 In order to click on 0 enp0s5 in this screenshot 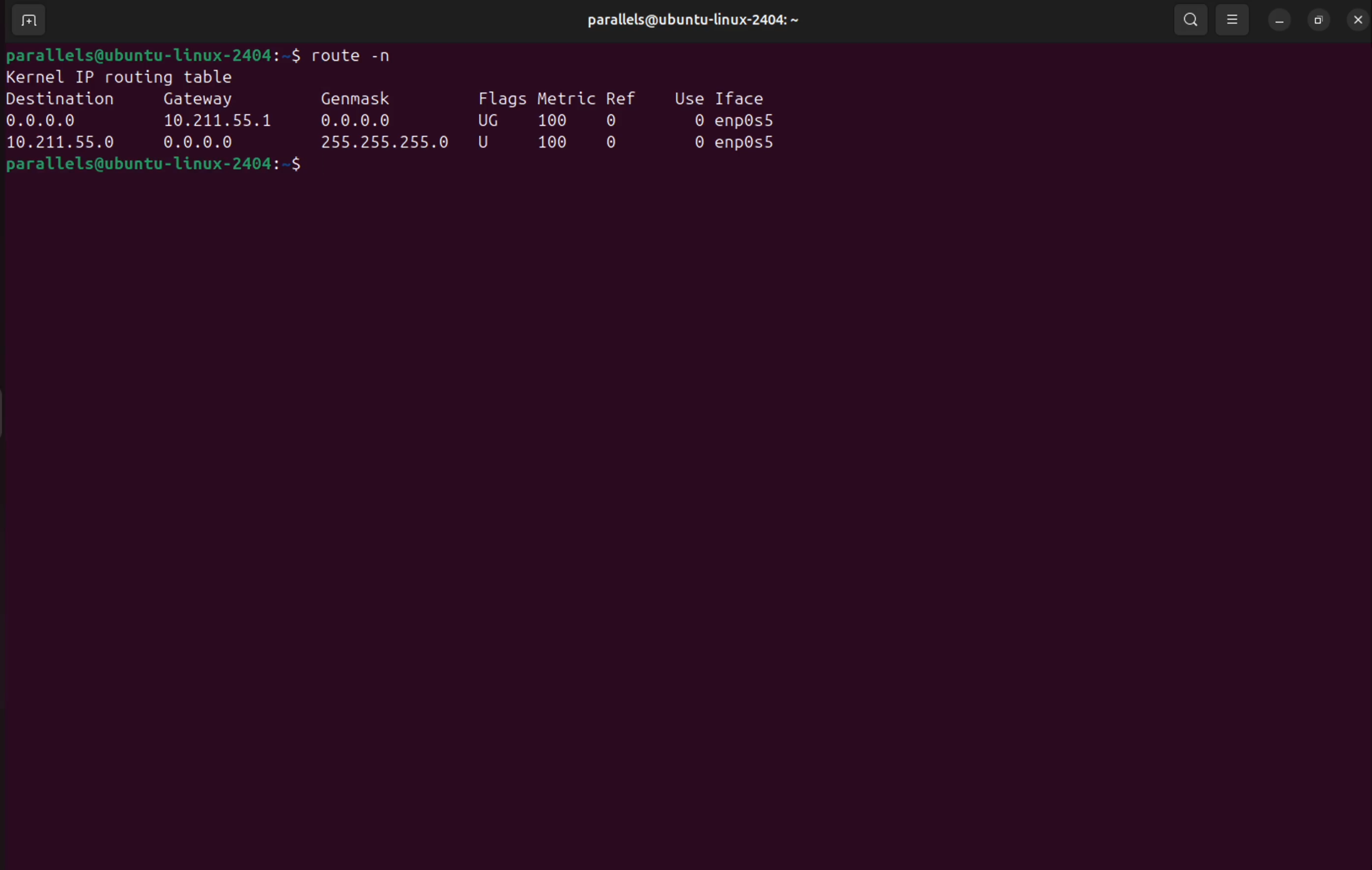, I will do `click(745, 144)`.